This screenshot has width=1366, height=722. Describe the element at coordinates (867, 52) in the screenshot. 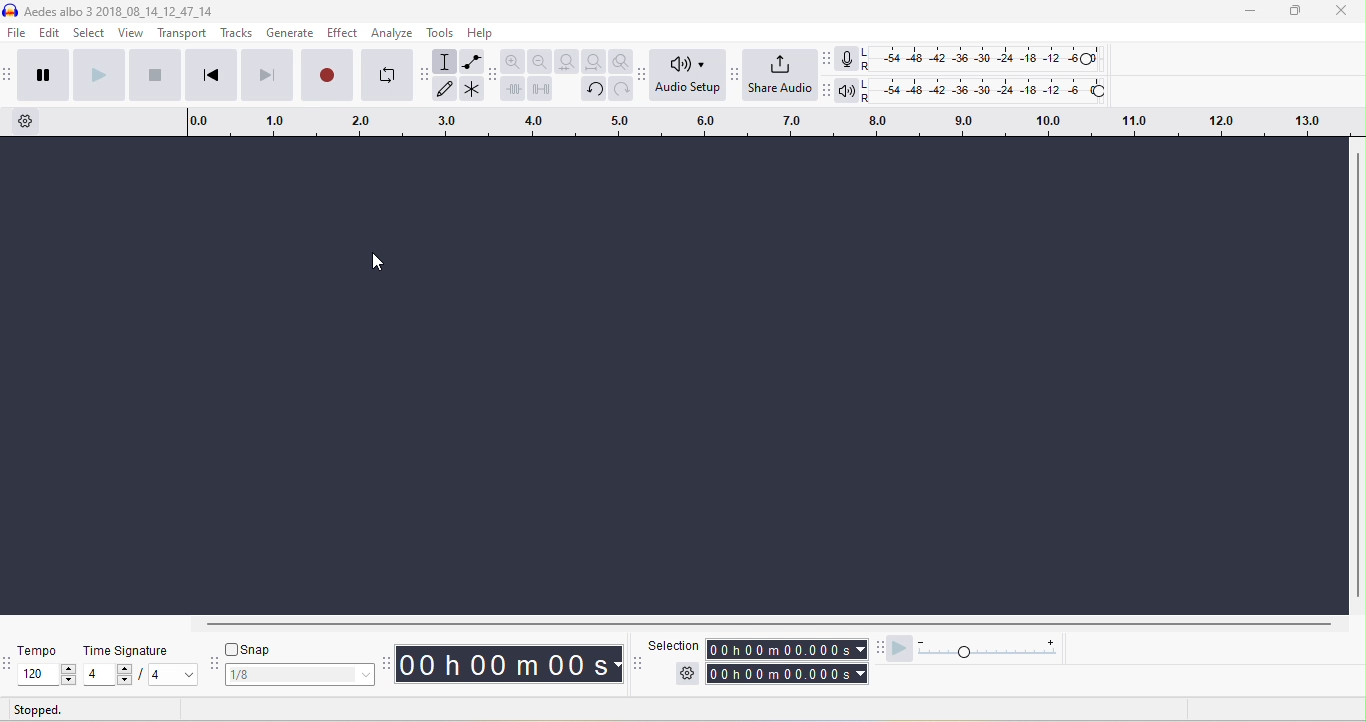

I see `L` at that location.